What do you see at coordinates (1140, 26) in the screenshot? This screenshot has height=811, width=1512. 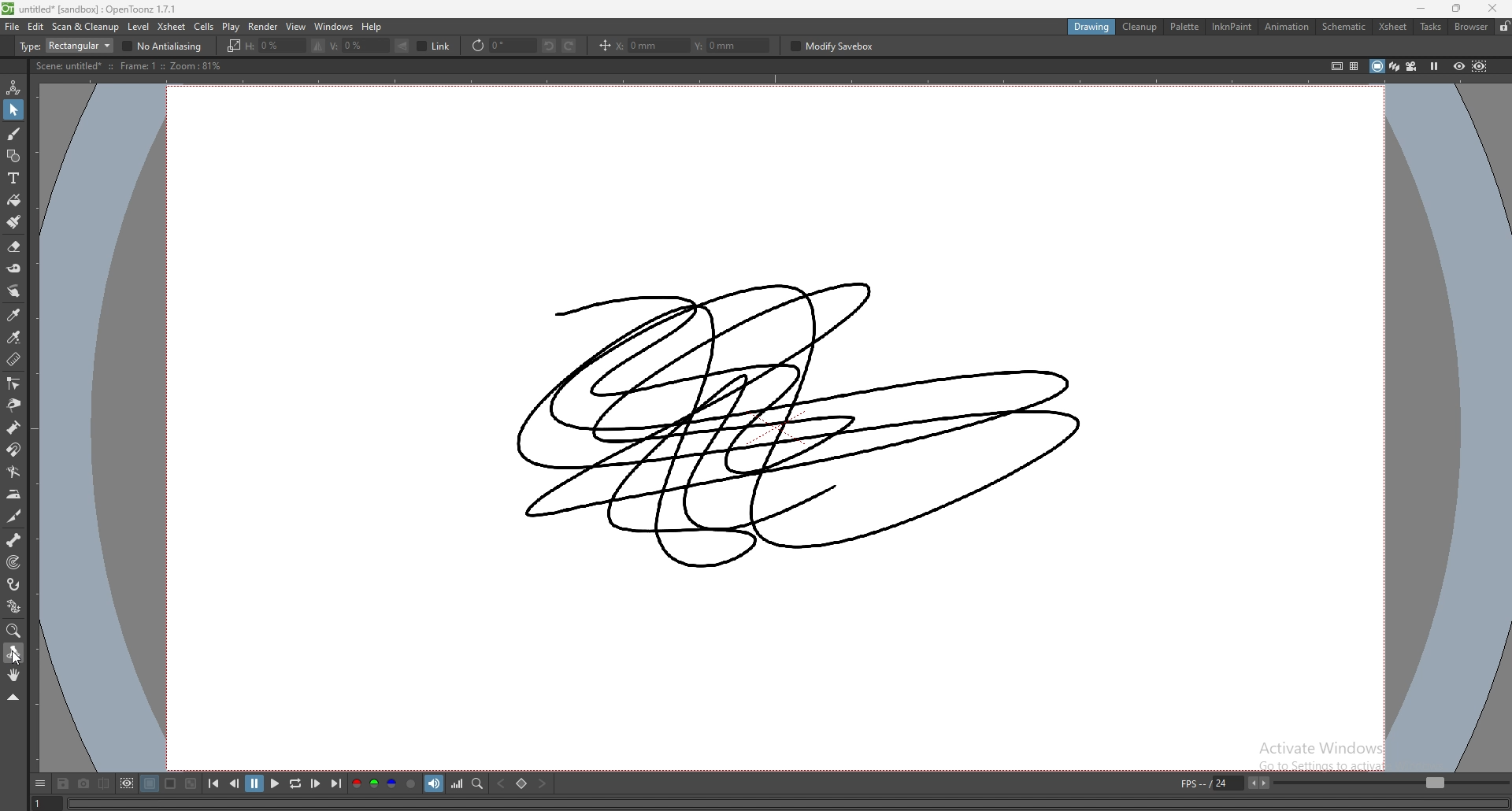 I see `cleanup` at bounding box center [1140, 26].